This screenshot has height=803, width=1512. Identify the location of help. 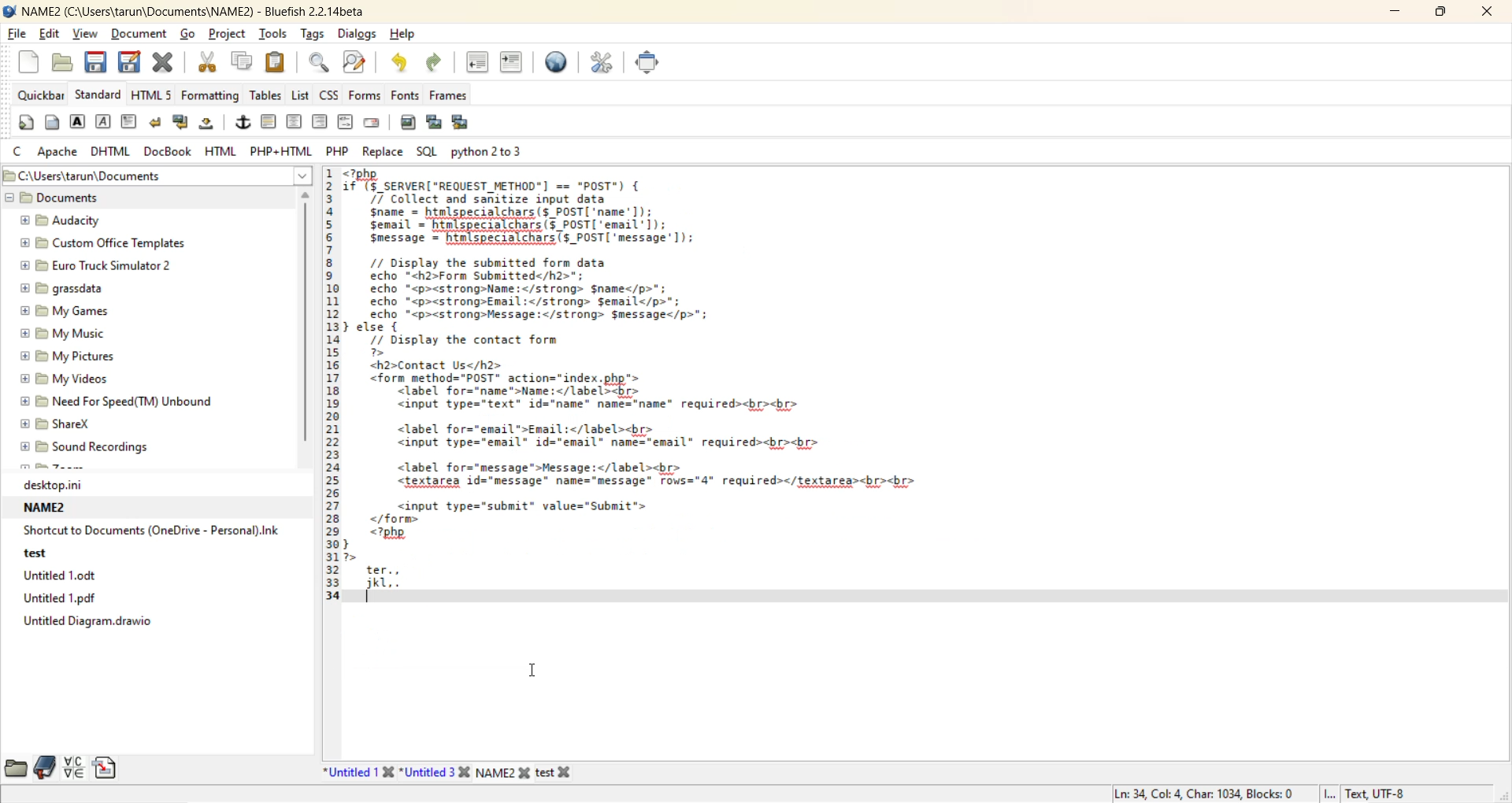
(406, 35).